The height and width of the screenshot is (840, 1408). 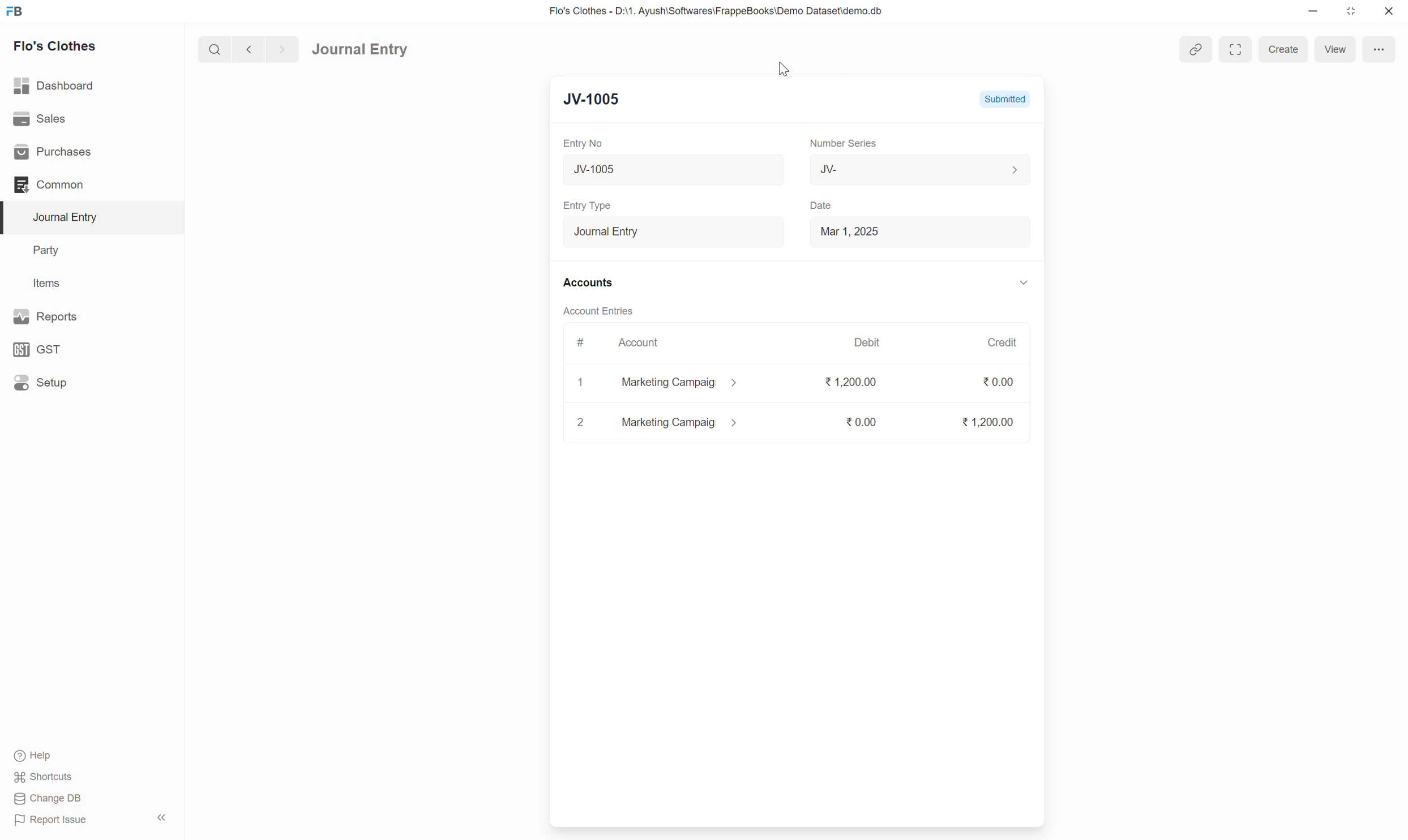 What do you see at coordinates (1004, 98) in the screenshot?
I see `Submitted` at bounding box center [1004, 98].